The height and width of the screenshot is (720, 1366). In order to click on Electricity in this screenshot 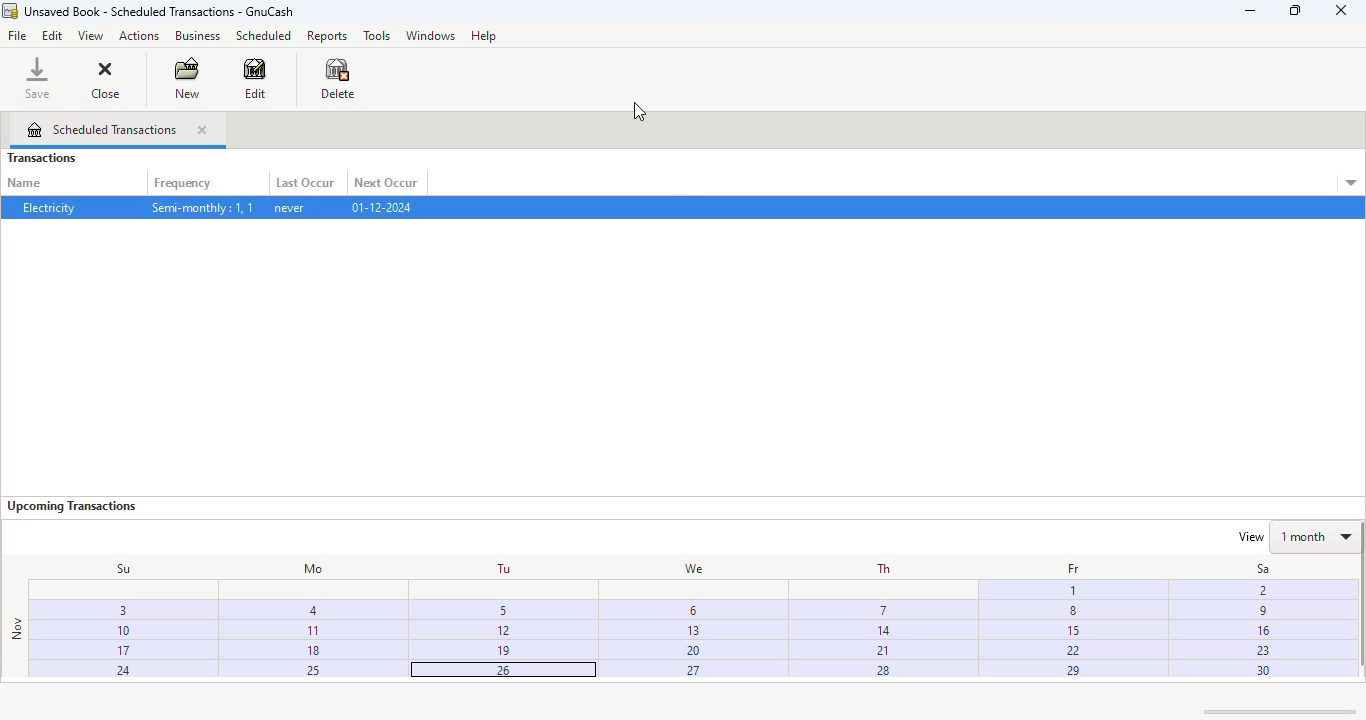, I will do `click(47, 208)`.